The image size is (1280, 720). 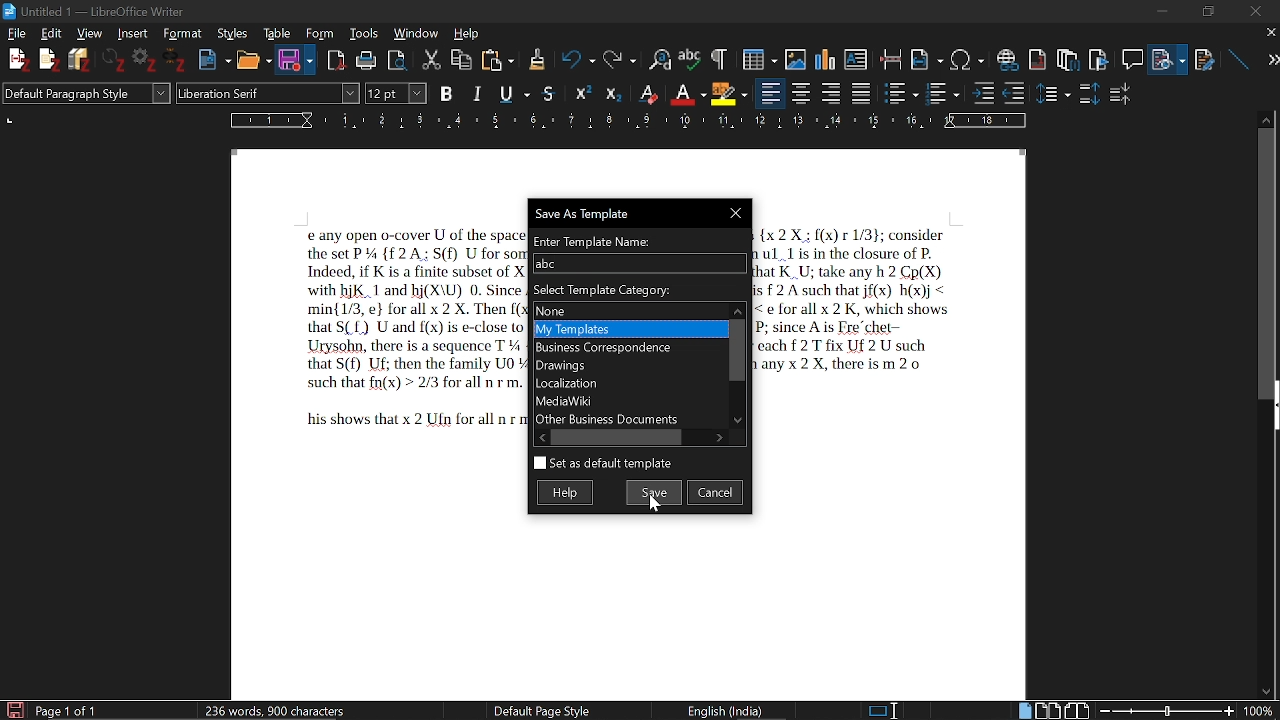 I want to click on , so click(x=717, y=58).